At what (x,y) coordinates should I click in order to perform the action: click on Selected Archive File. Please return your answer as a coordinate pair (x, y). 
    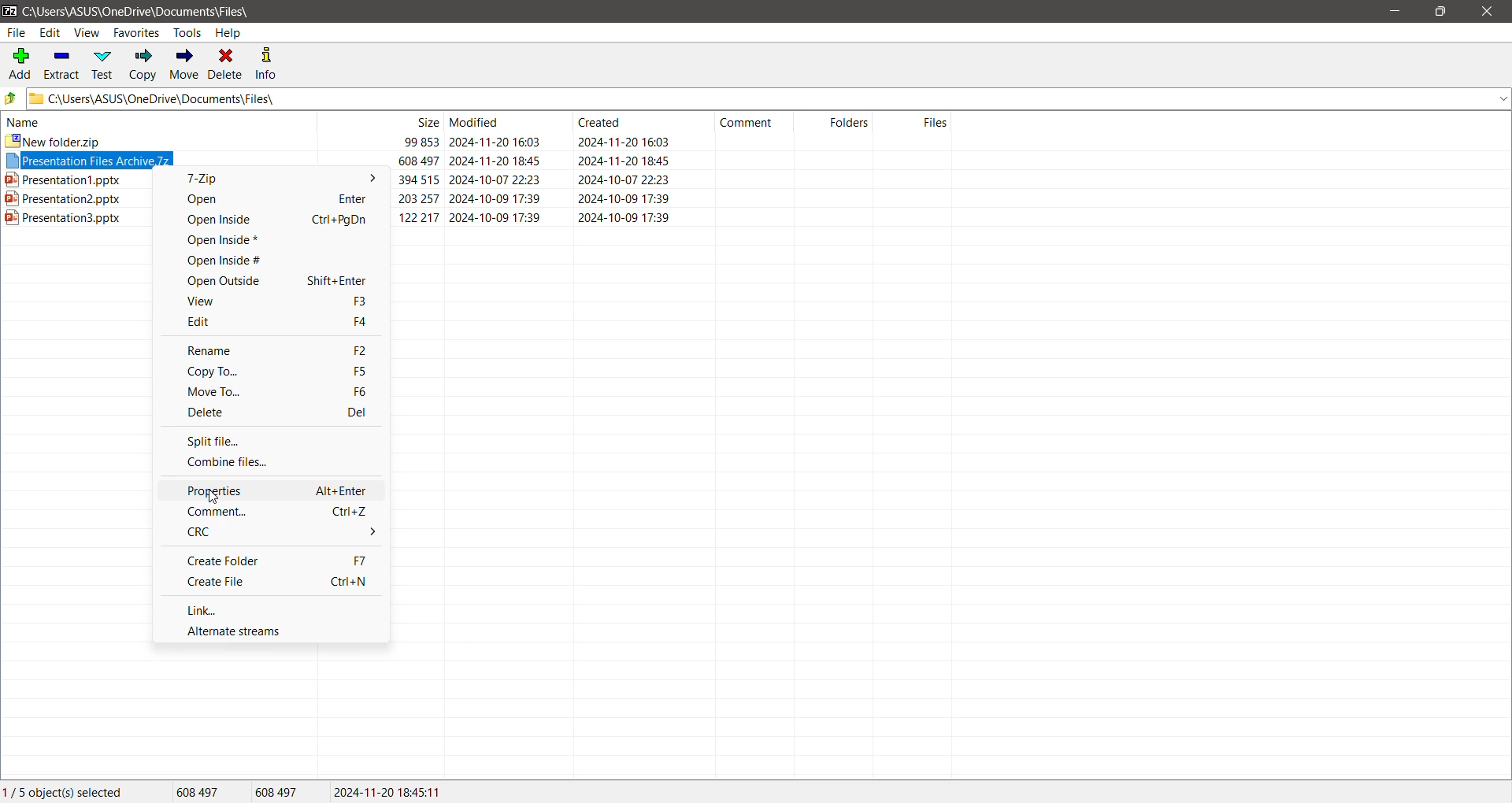
    Looking at the image, I should click on (480, 160).